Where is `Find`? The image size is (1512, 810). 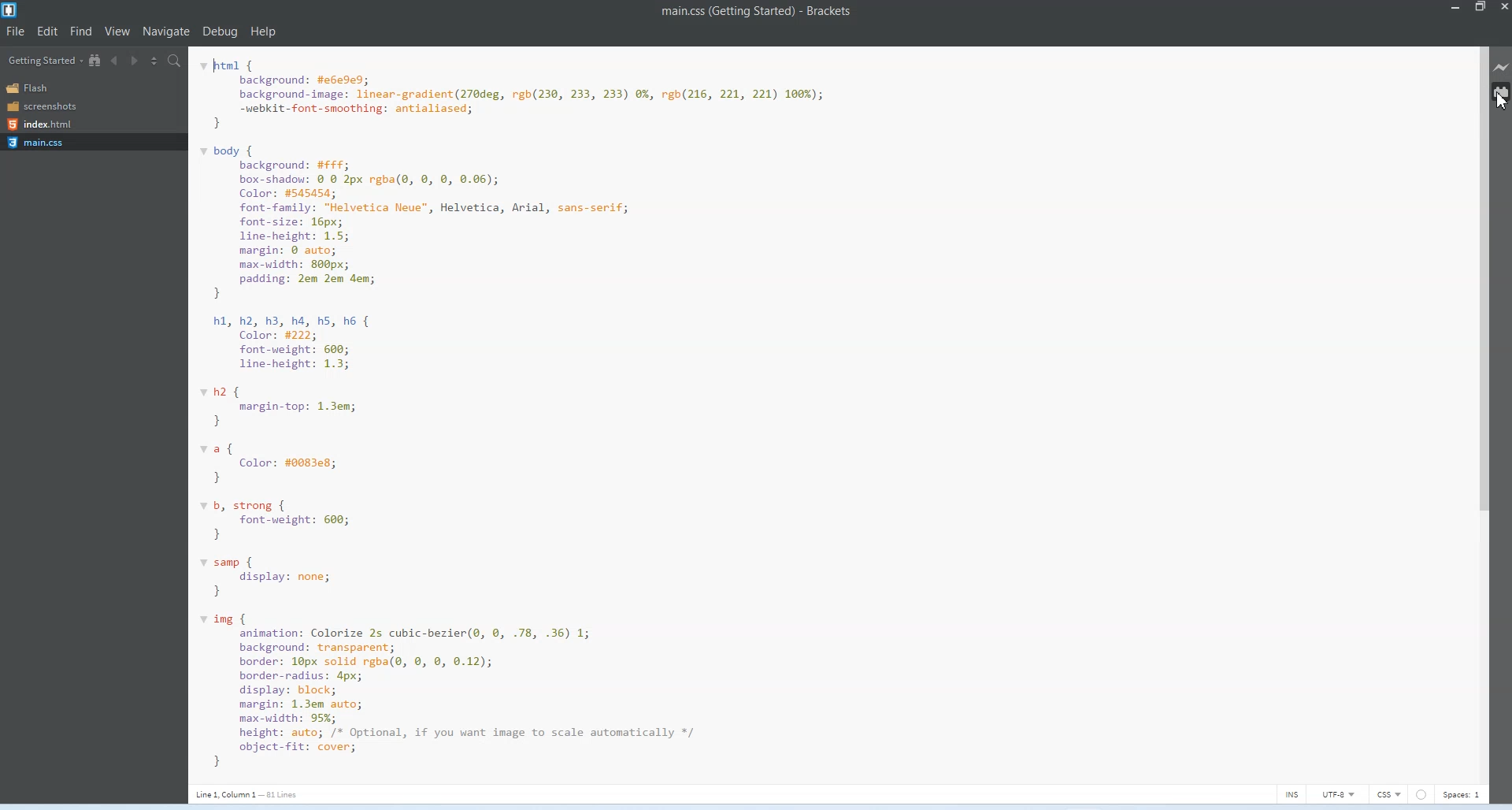 Find is located at coordinates (83, 31).